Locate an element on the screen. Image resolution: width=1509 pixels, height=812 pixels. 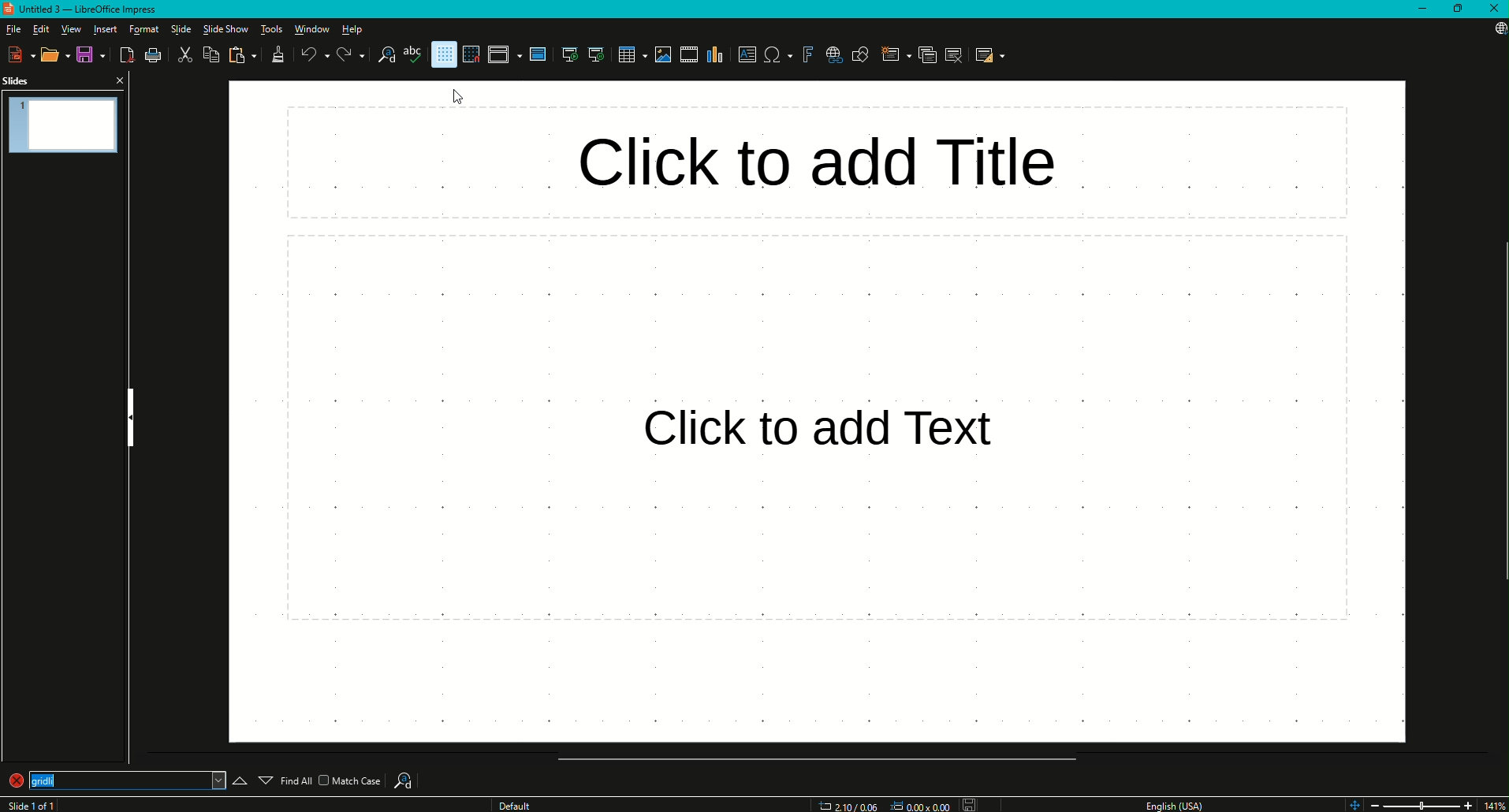
Export directly as PDF is located at coordinates (128, 54).